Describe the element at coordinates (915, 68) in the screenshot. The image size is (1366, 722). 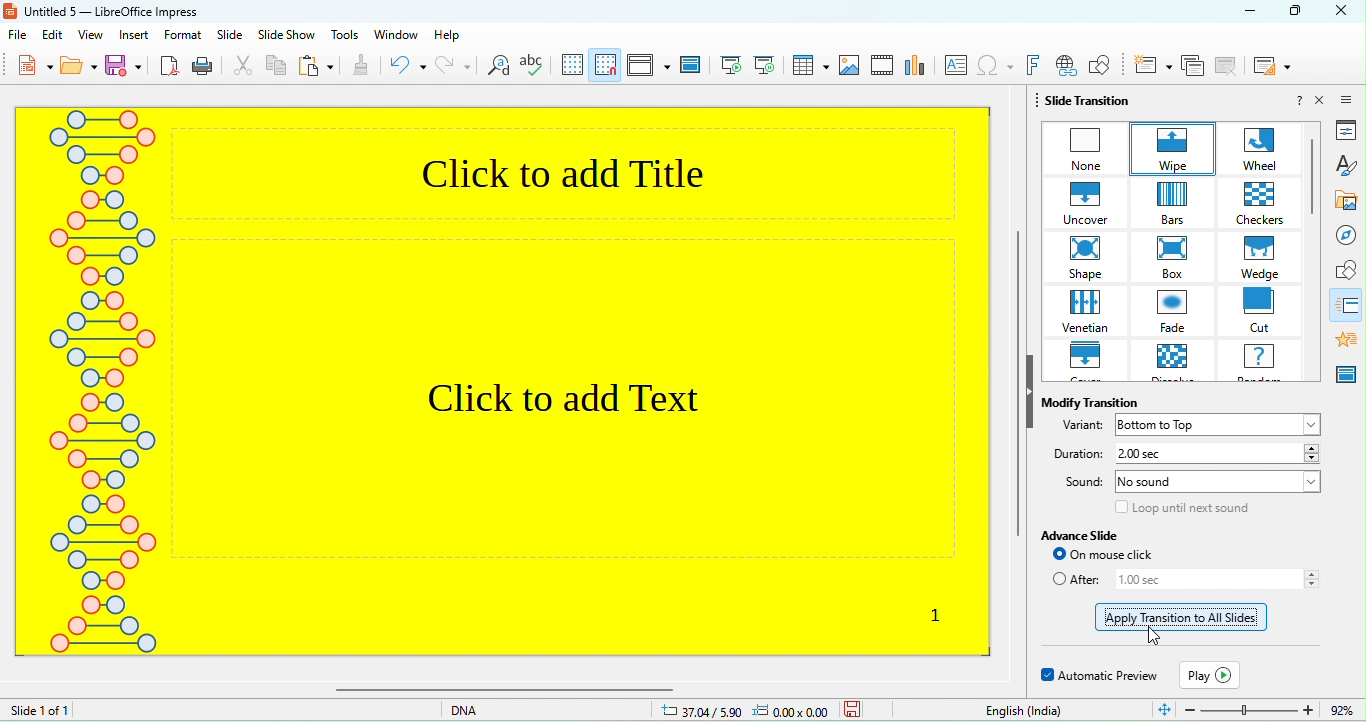
I see `chart` at that location.